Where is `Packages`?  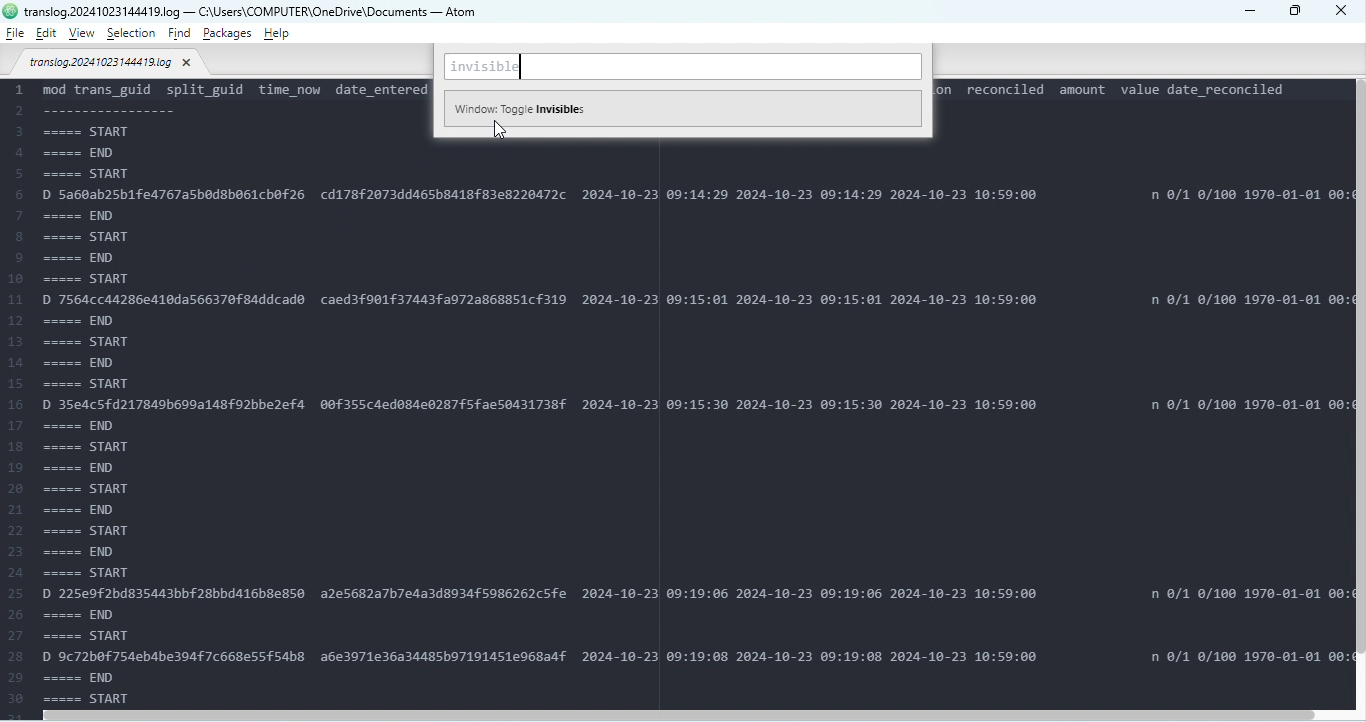
Packages is located at coordinates (229, 33).